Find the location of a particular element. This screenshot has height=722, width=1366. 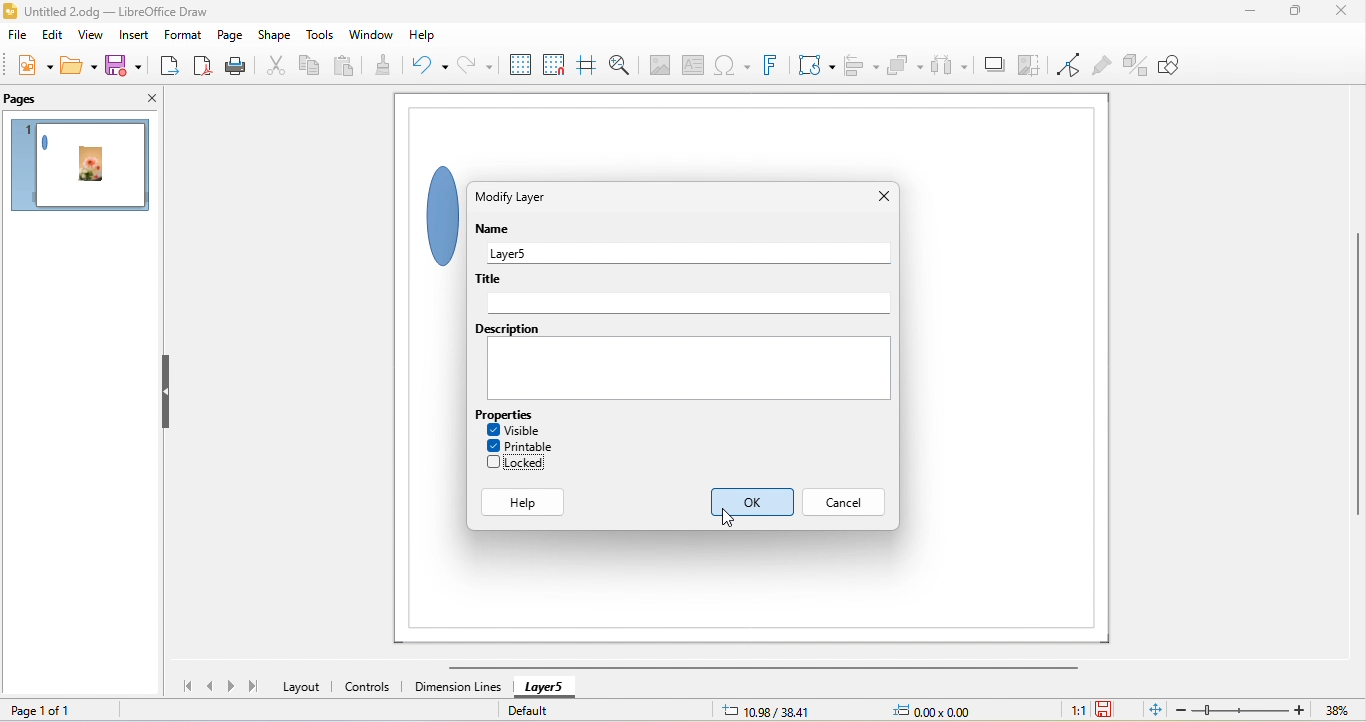

export is located at coordinates (168, 64).